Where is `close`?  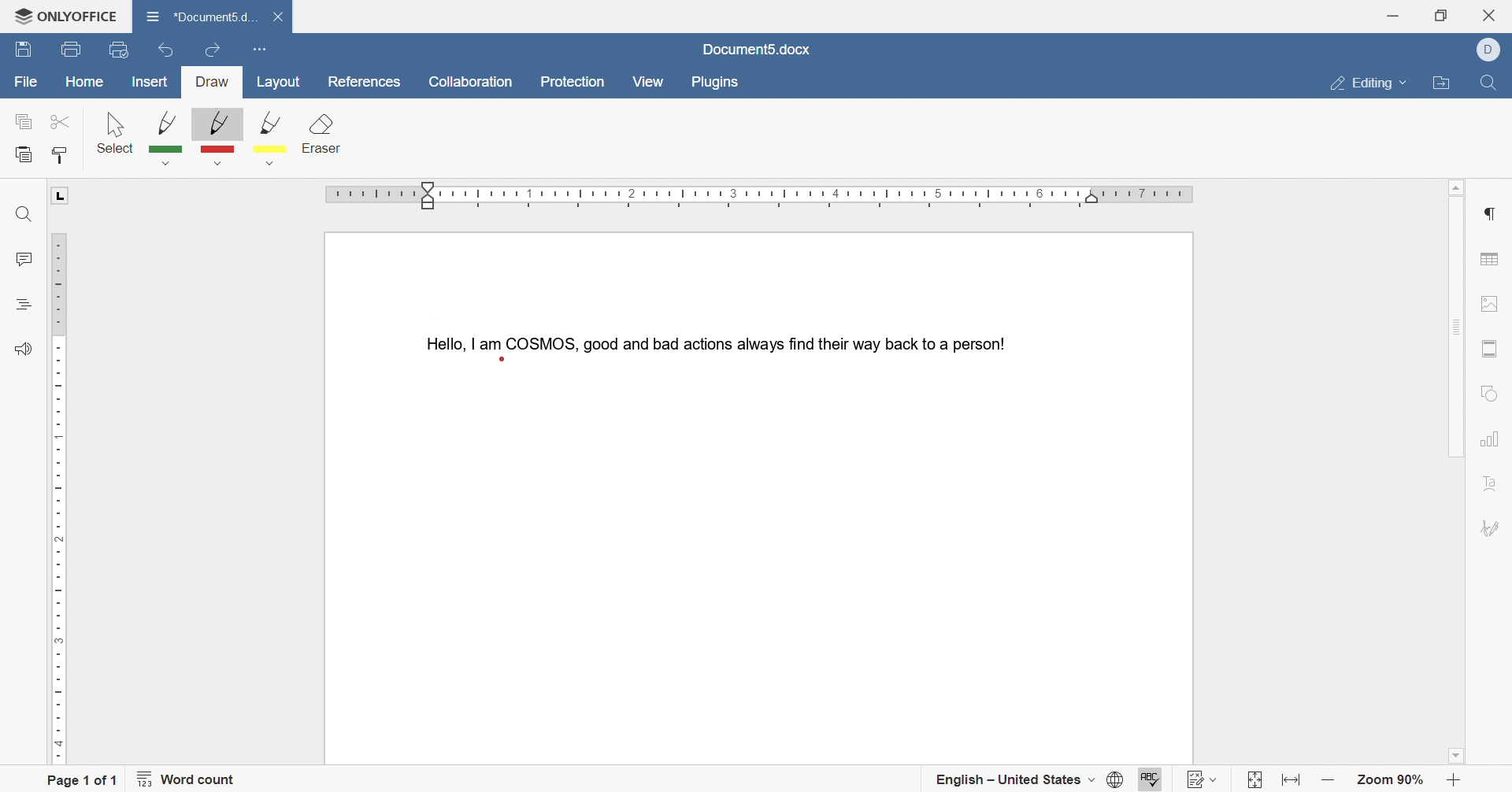 close is located at coordinates (1495, 13).